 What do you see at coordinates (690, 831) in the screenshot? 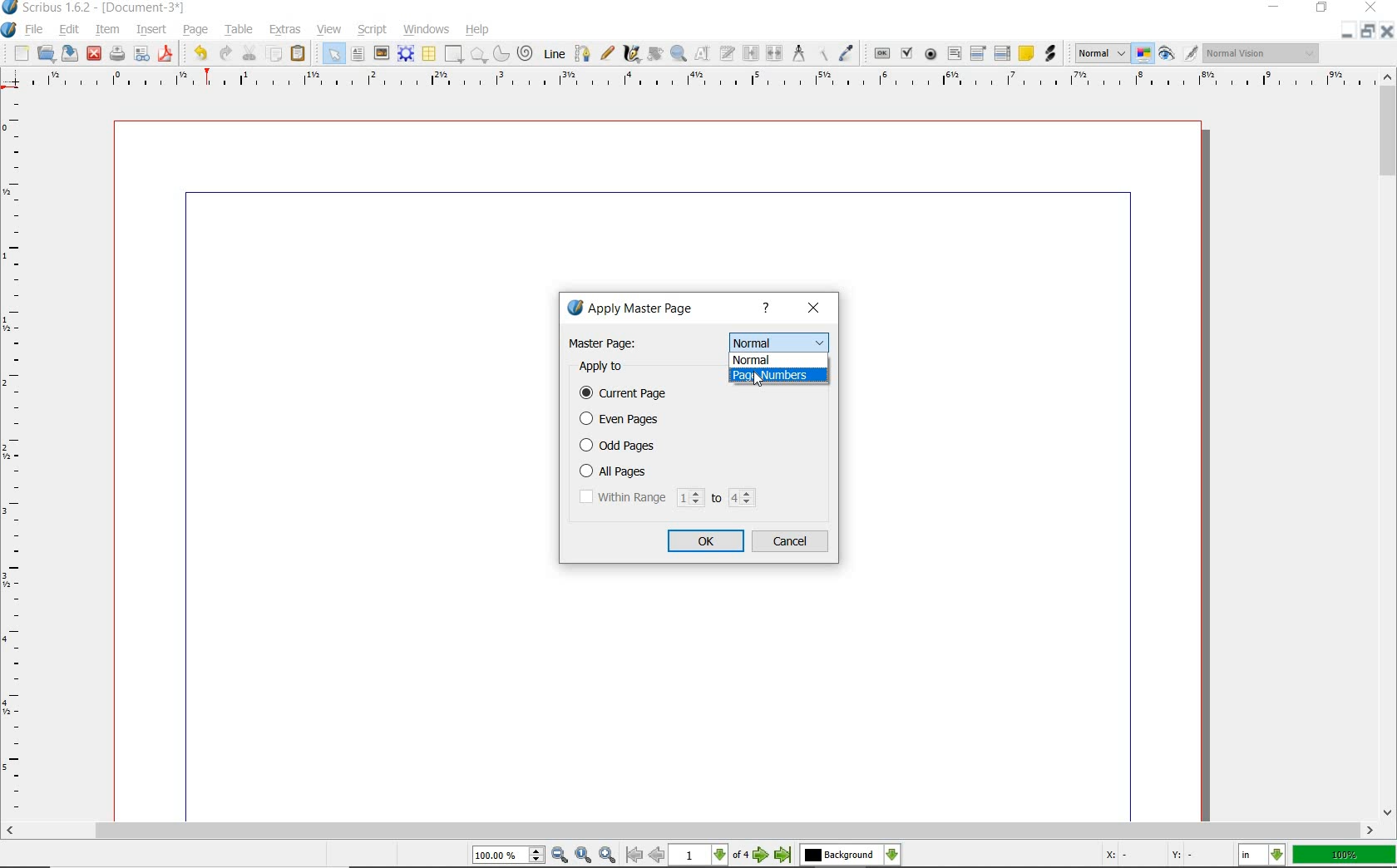
I see `scrollbar` at bounding box center [690, 831].